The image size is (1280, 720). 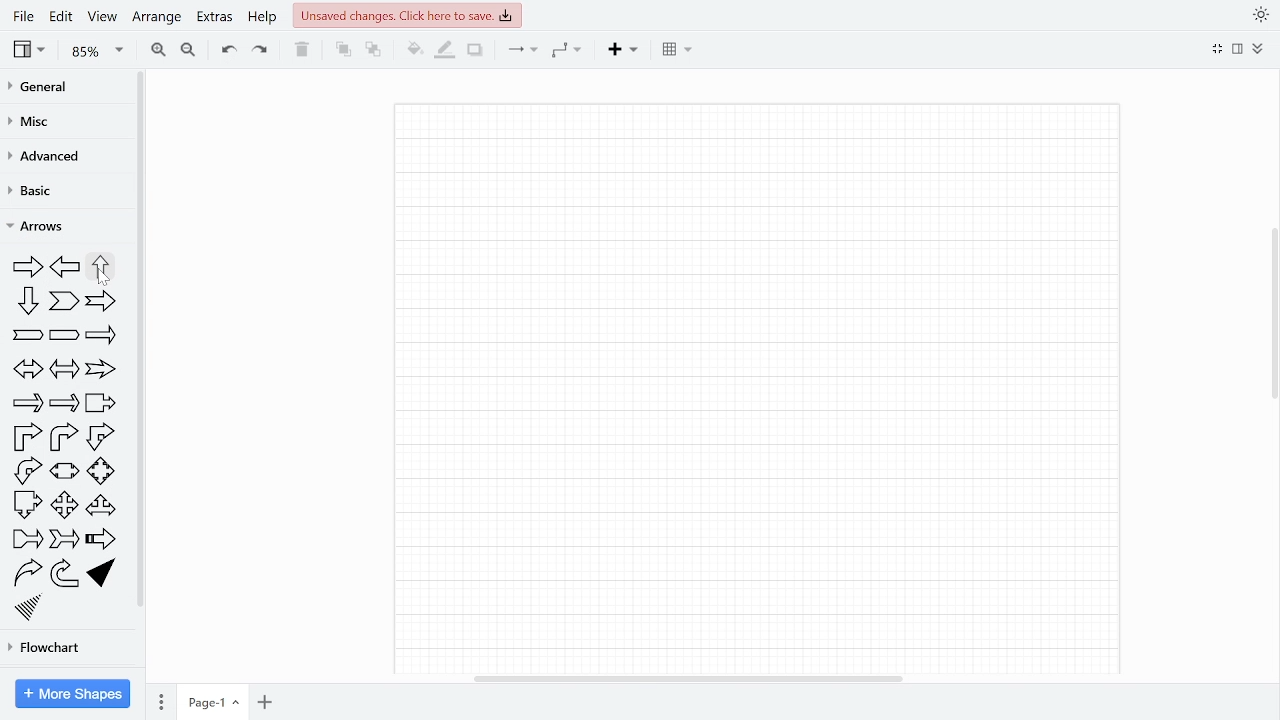 What do you see at coordinates (94, 52) in the screenshot?
I see `Zoom` at bounding box center [94, 52].